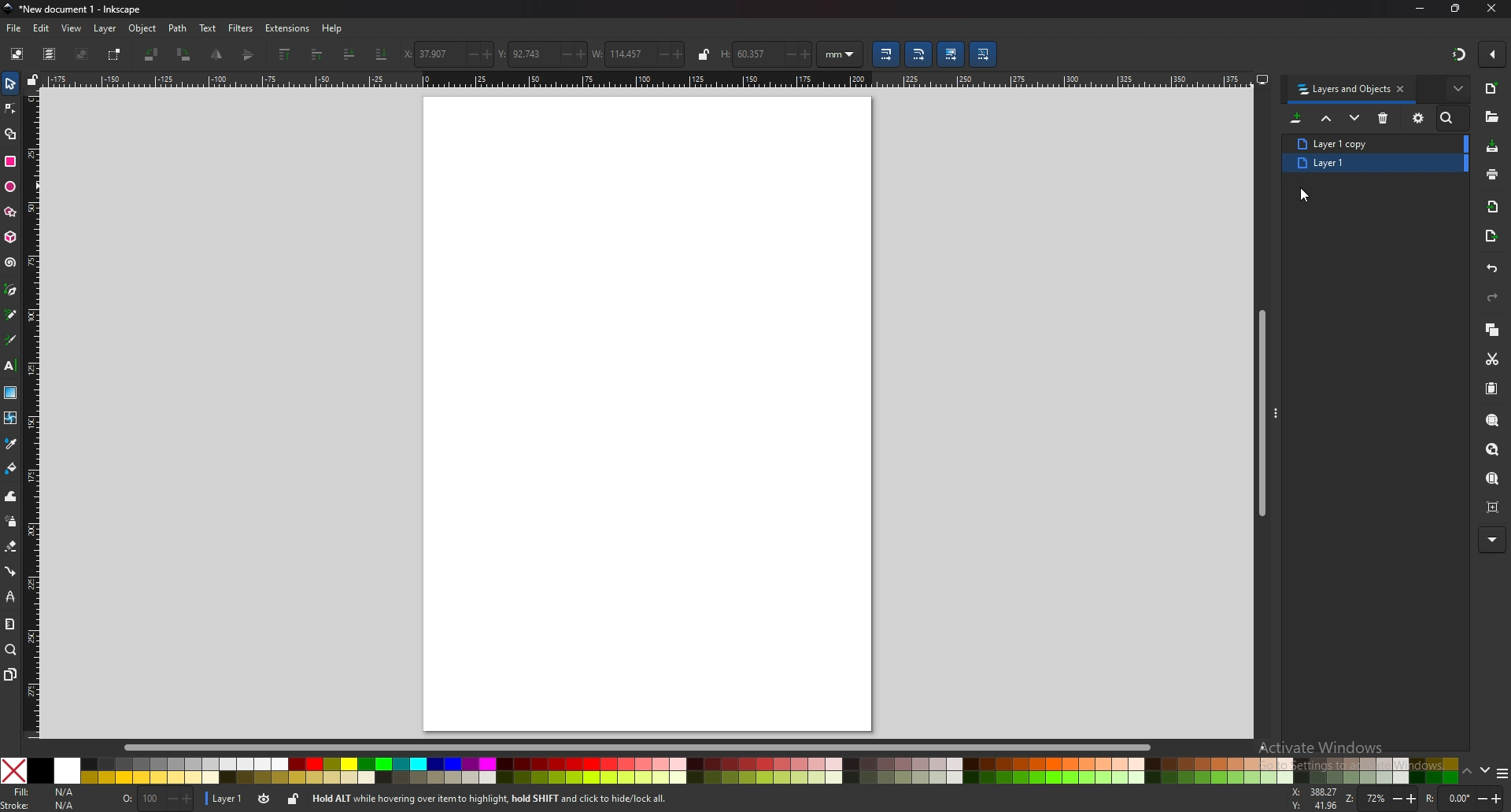 The image size is (1511, 812). I want to click on decrease, so click(467, 55).